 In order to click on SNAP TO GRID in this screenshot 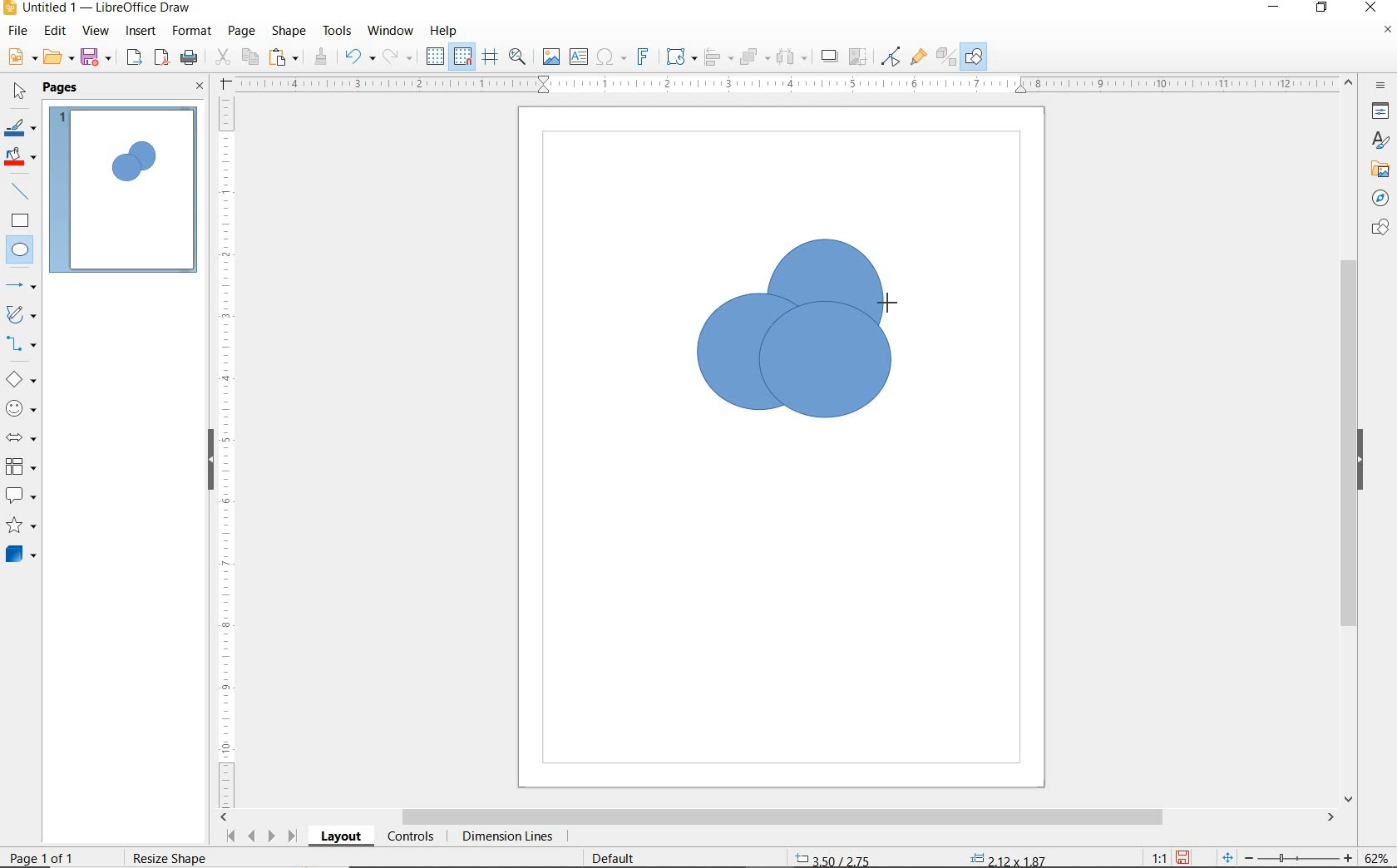, I will do `click(462, 57)`.